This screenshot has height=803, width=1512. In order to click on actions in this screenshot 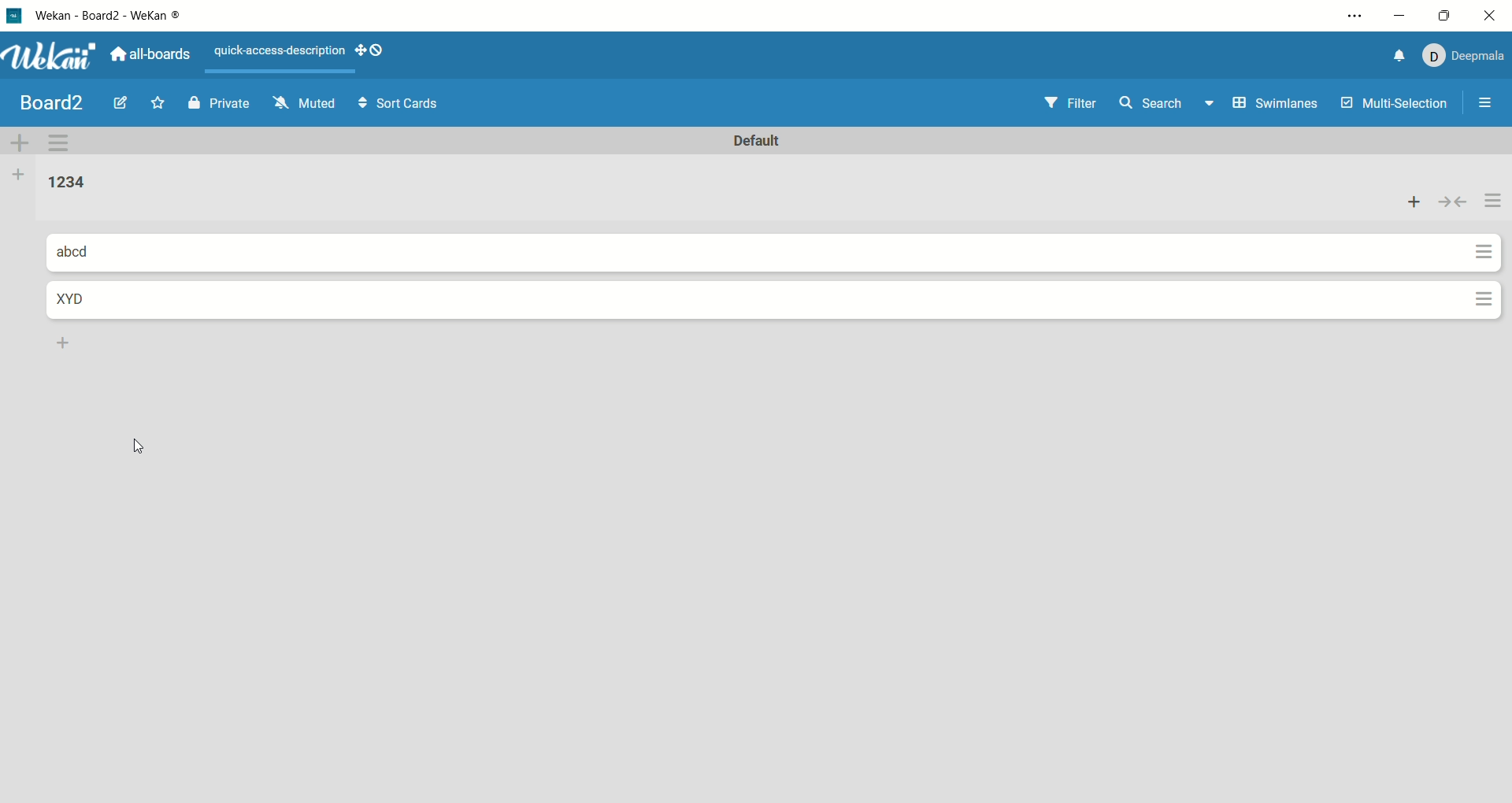, I will do `click(1484, 302)`.